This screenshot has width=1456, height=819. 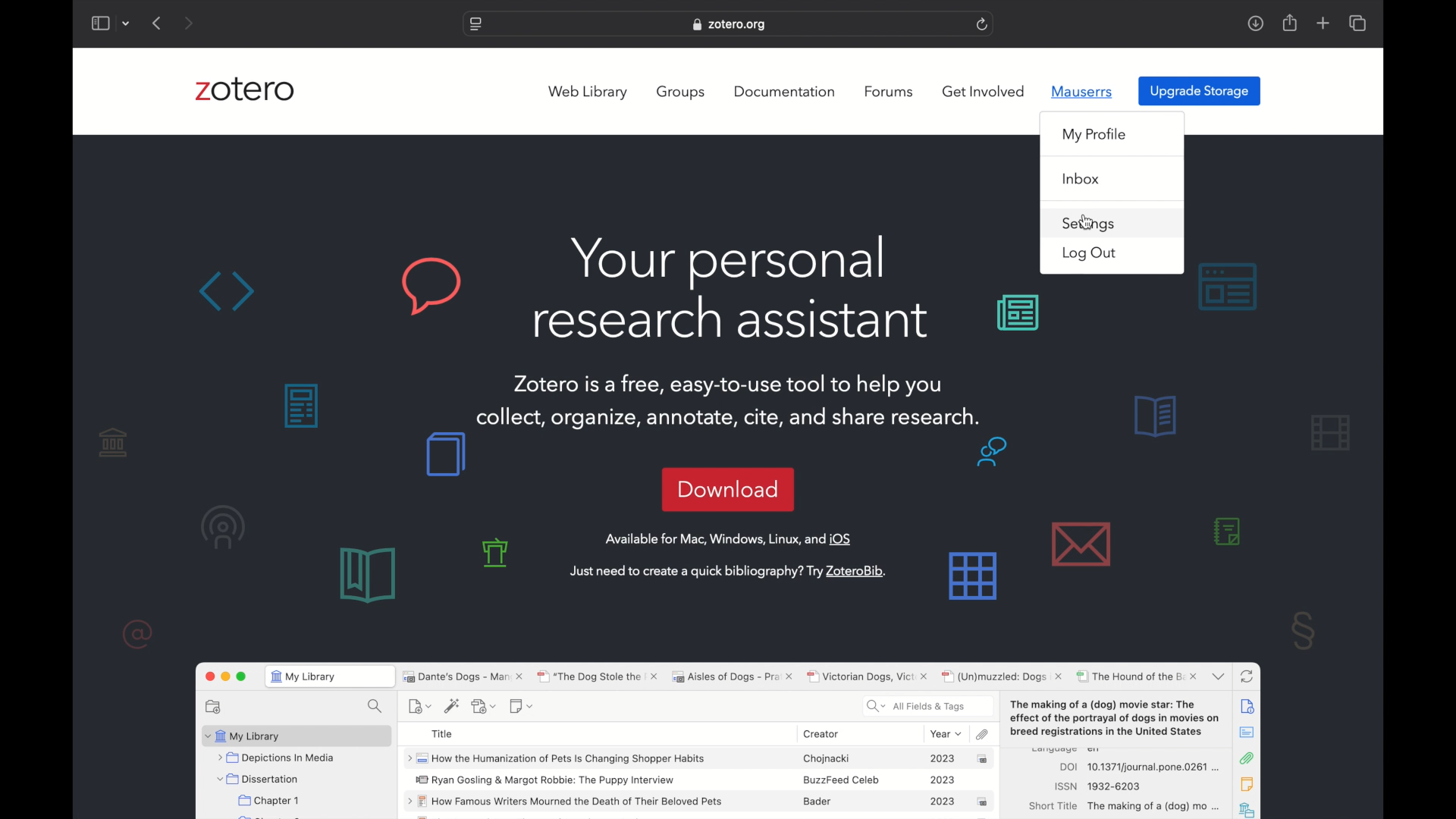 I want to click on show tab overview, so click(x=1359, y=23).